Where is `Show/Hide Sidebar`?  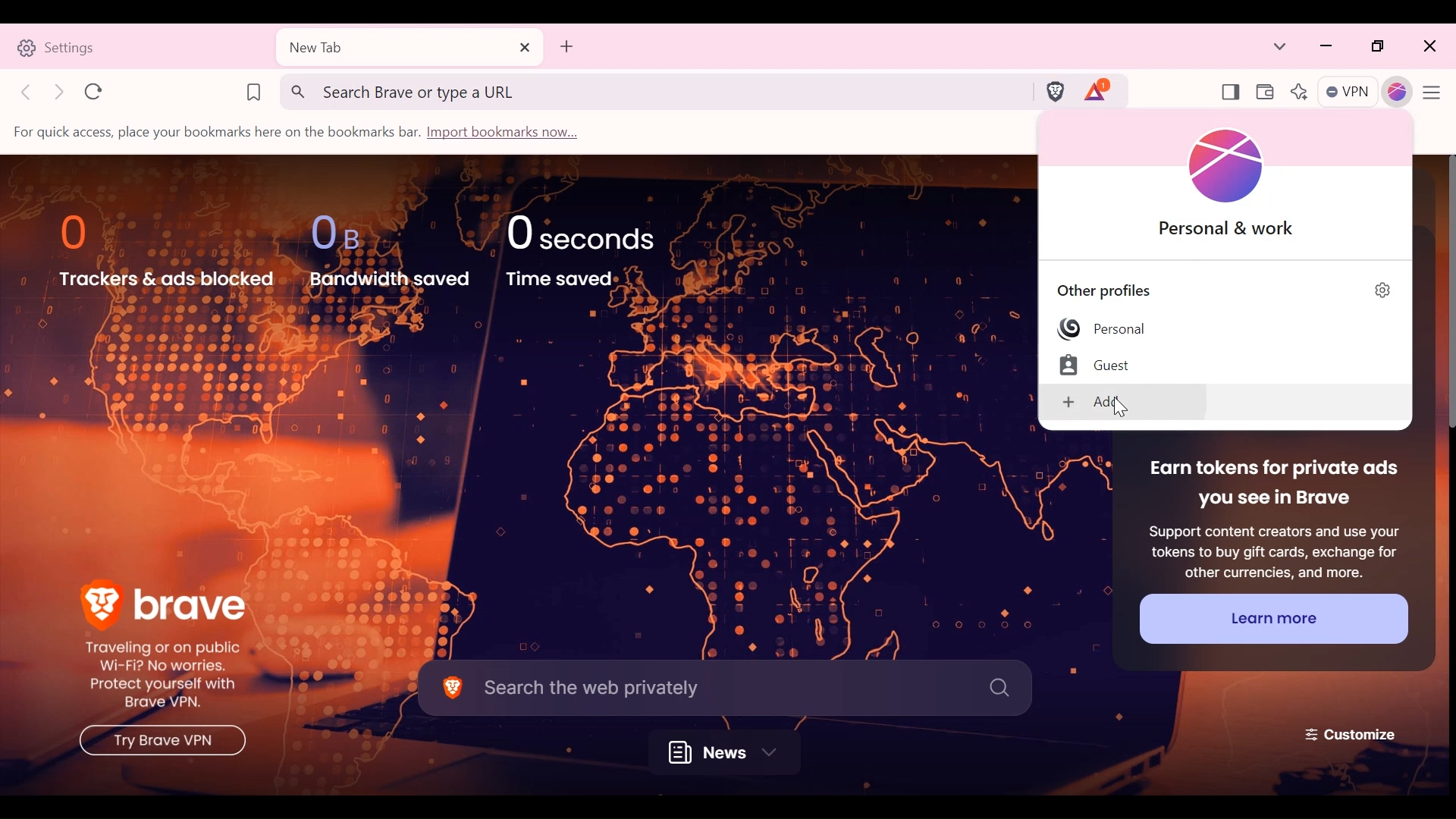 Show/Hide Sidebar is located at coordinates (1230, 93).